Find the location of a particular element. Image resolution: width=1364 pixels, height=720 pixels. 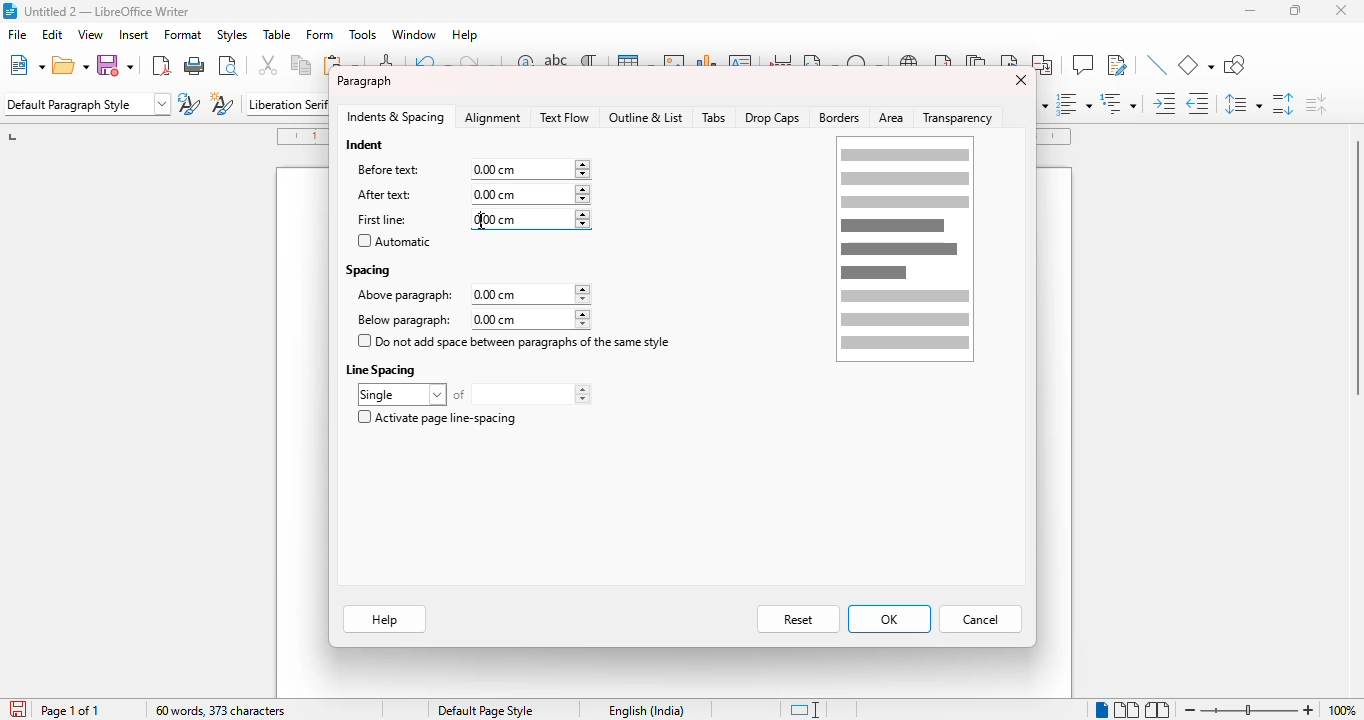

area is located at coordinates (892, 118).